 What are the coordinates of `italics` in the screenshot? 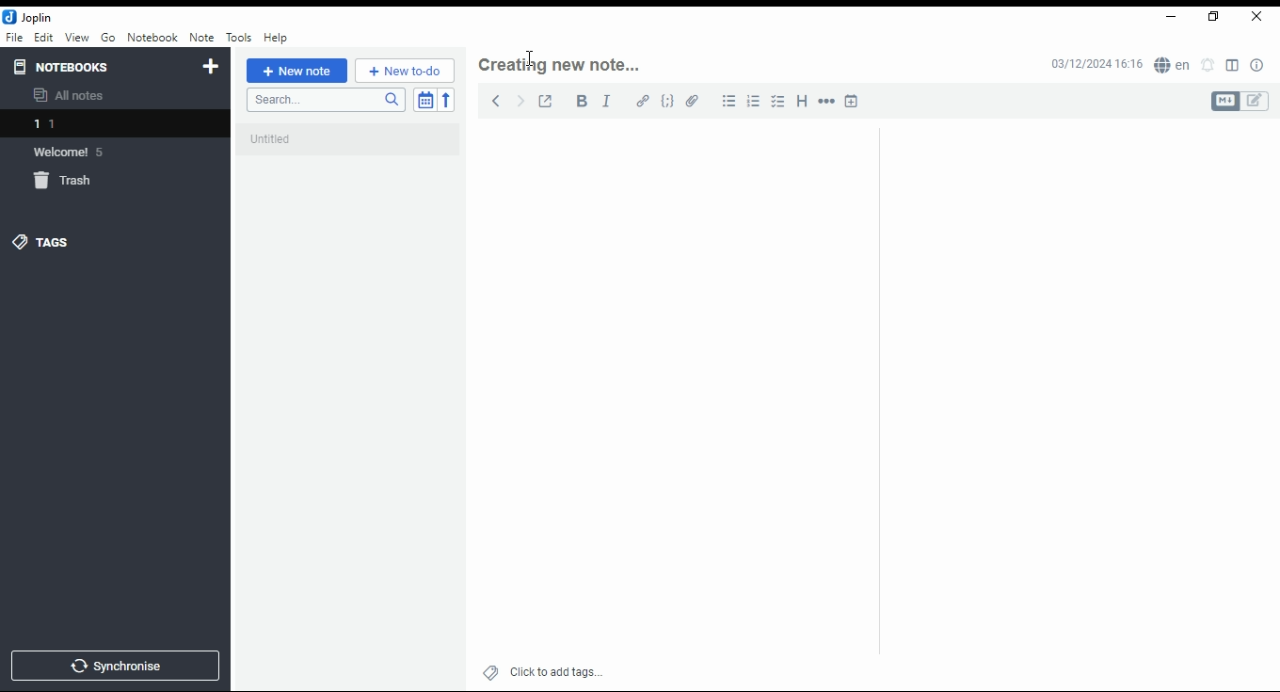 It's located at (606, 100).